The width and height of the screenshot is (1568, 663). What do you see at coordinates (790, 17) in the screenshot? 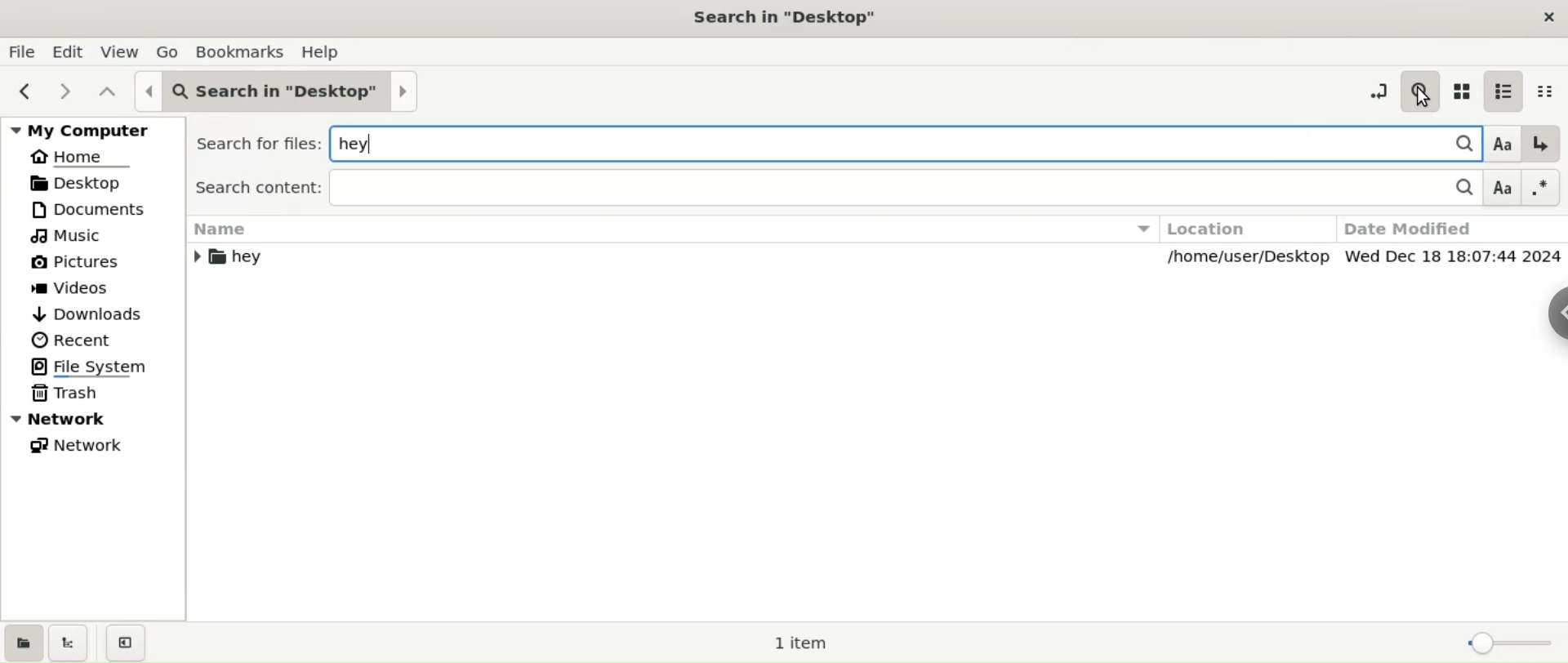
I see `search in desktop` at bounding box center [790, 17].